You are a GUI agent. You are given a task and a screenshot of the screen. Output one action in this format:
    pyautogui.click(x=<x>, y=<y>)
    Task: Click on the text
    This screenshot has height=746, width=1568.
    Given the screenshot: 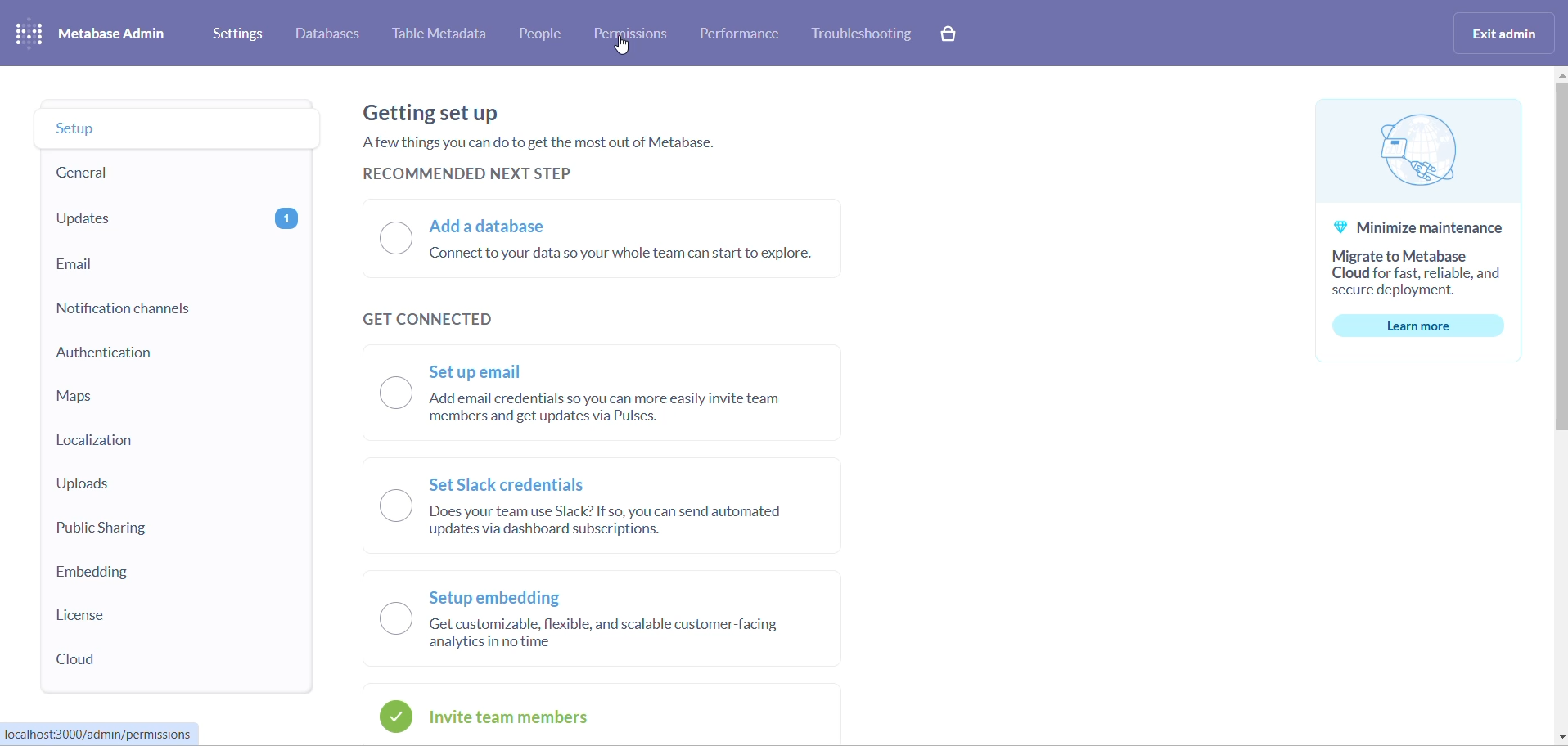 What is the action you would take?
    pyautogui.click(x=558, y=142)
    